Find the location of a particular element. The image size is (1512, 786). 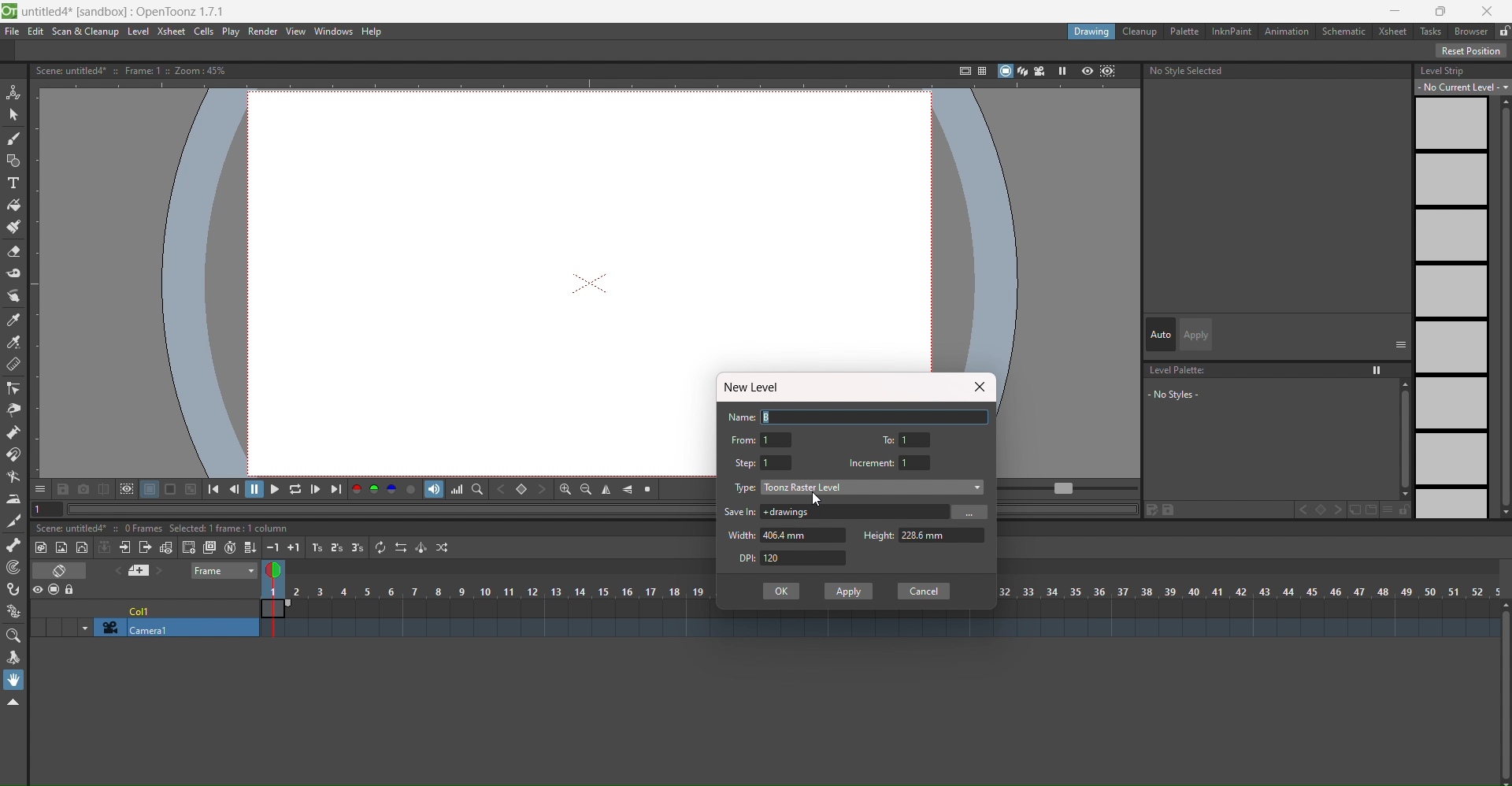

 is located at coordinates (56, 588).